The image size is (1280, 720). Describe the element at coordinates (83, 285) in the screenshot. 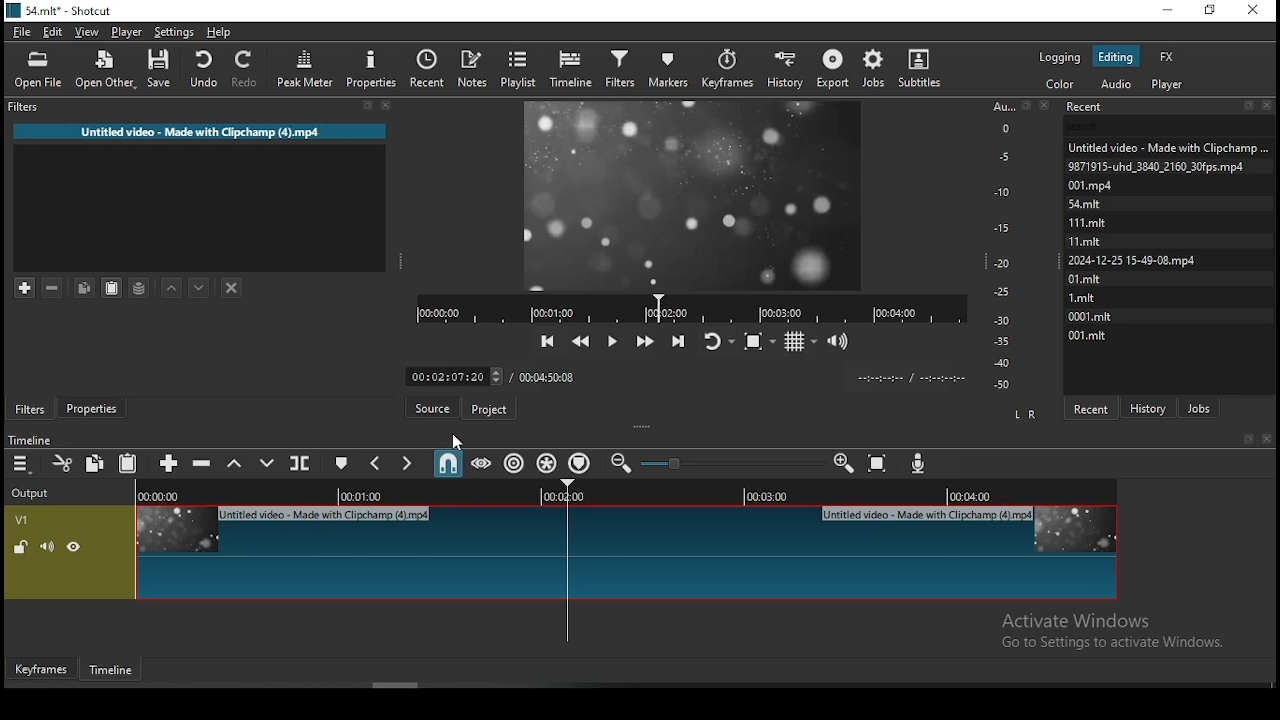

I see `copy` at that location.